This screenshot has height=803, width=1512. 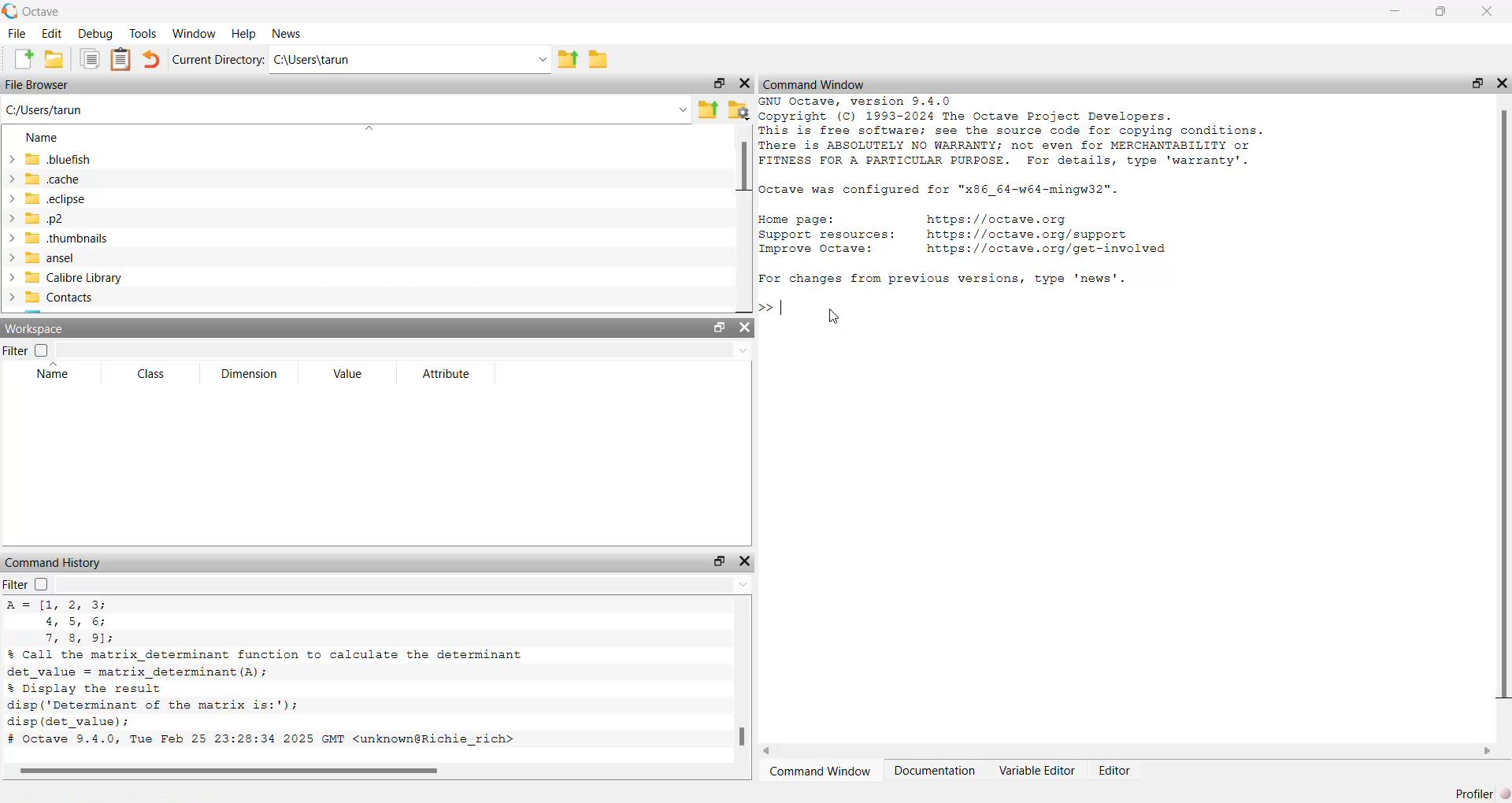 I want to click on ansel, so click(x=44, y=258).